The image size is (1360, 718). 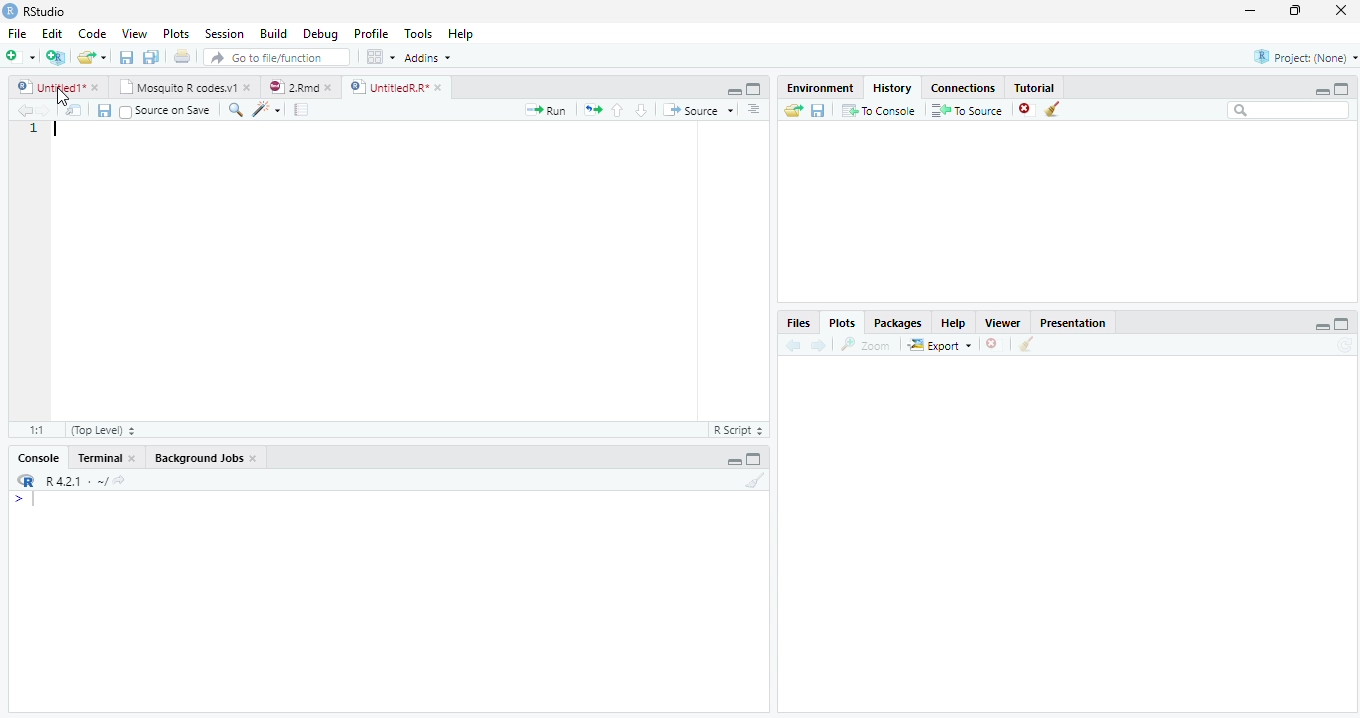 What do you see at coordinates (74, 110) in the screenshot?
I see `Show in new window` at bounding box center [74, 110].